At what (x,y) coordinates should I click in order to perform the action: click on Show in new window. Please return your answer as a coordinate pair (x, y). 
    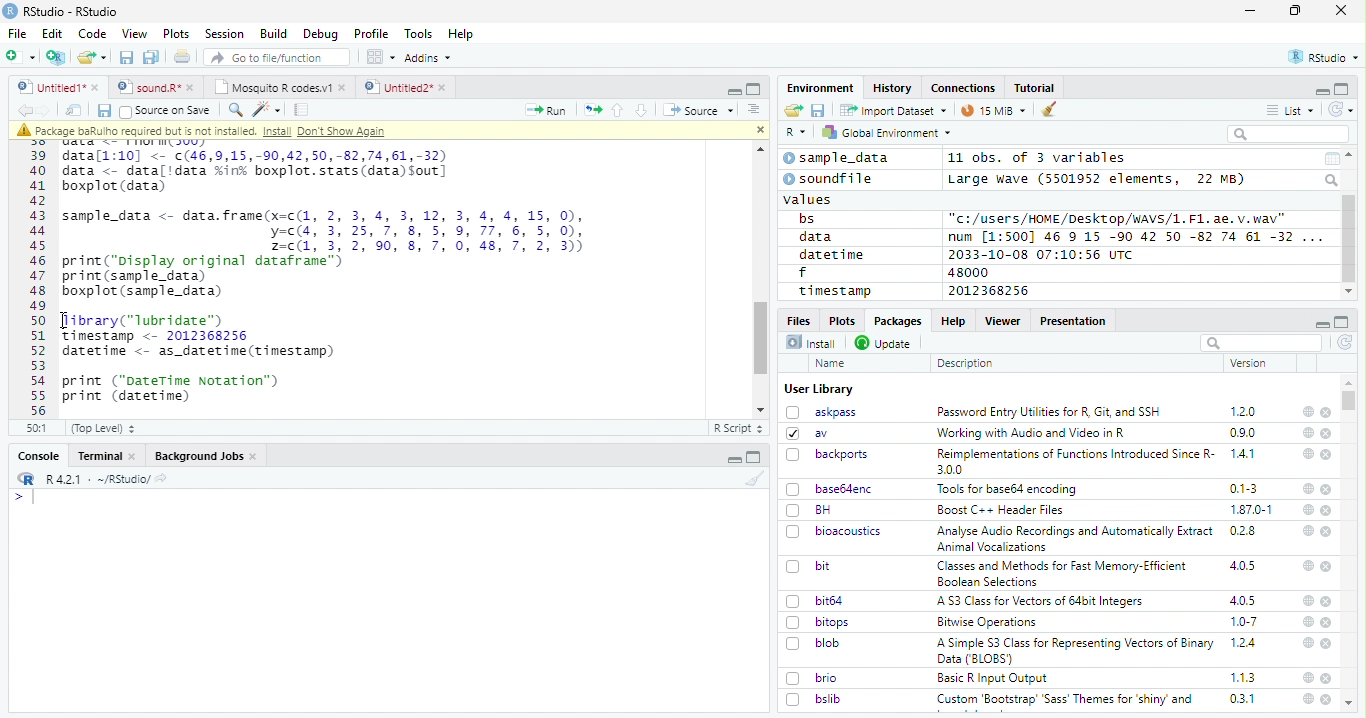
    Looking at the image, I should click on (76, 110).